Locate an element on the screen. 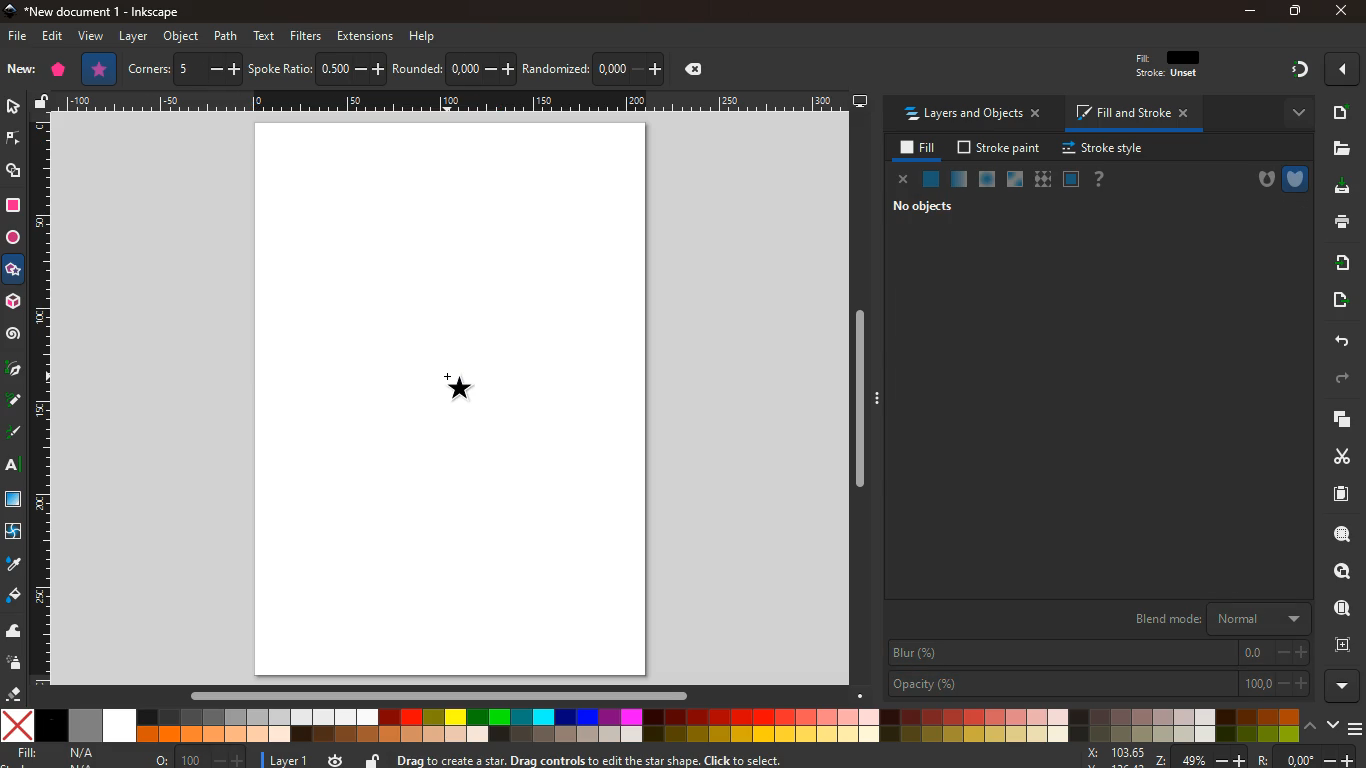  spoke ratio is located at coordinates (318, 68).